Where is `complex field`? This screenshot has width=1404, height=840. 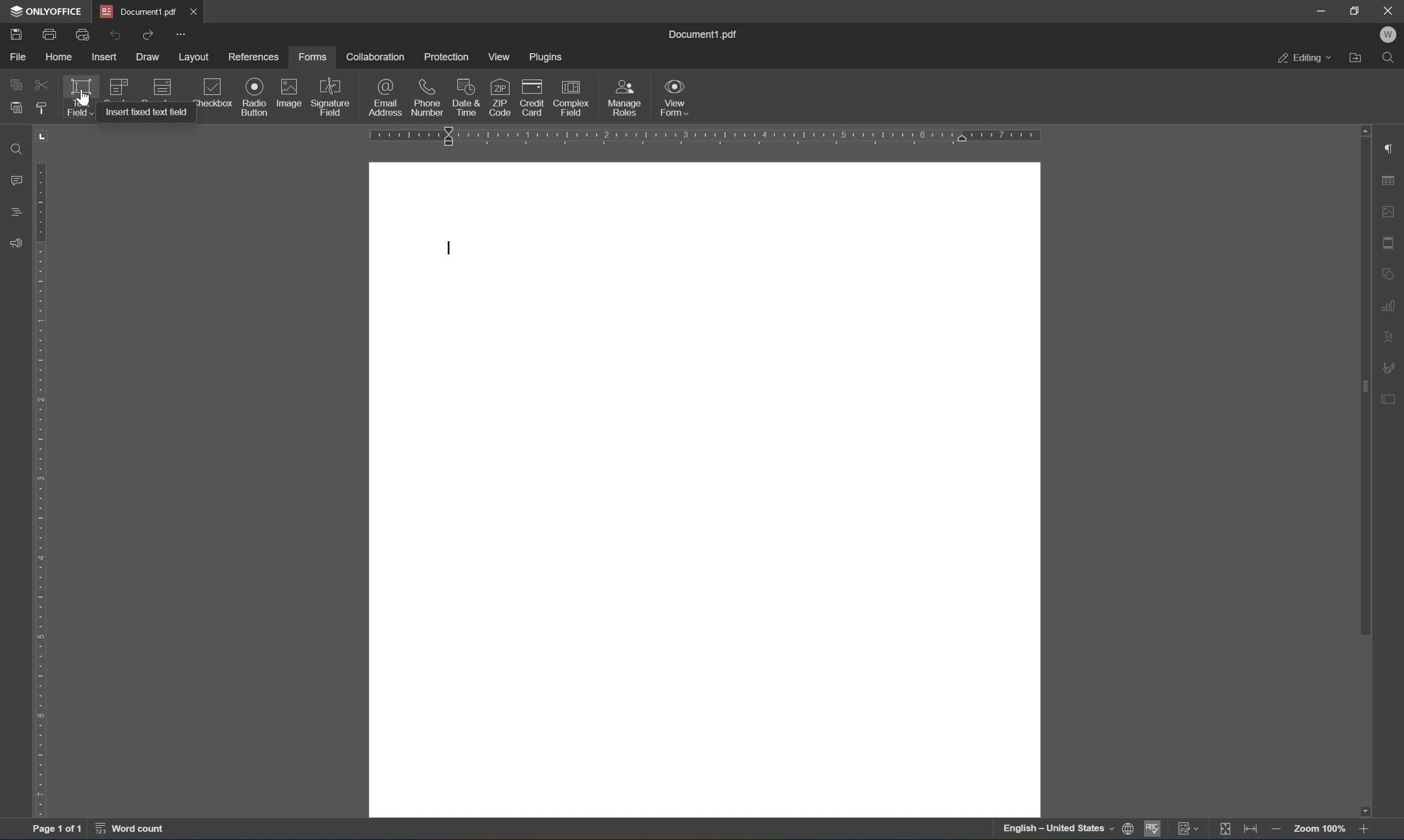
complex field is located at coordinates (577, 98).